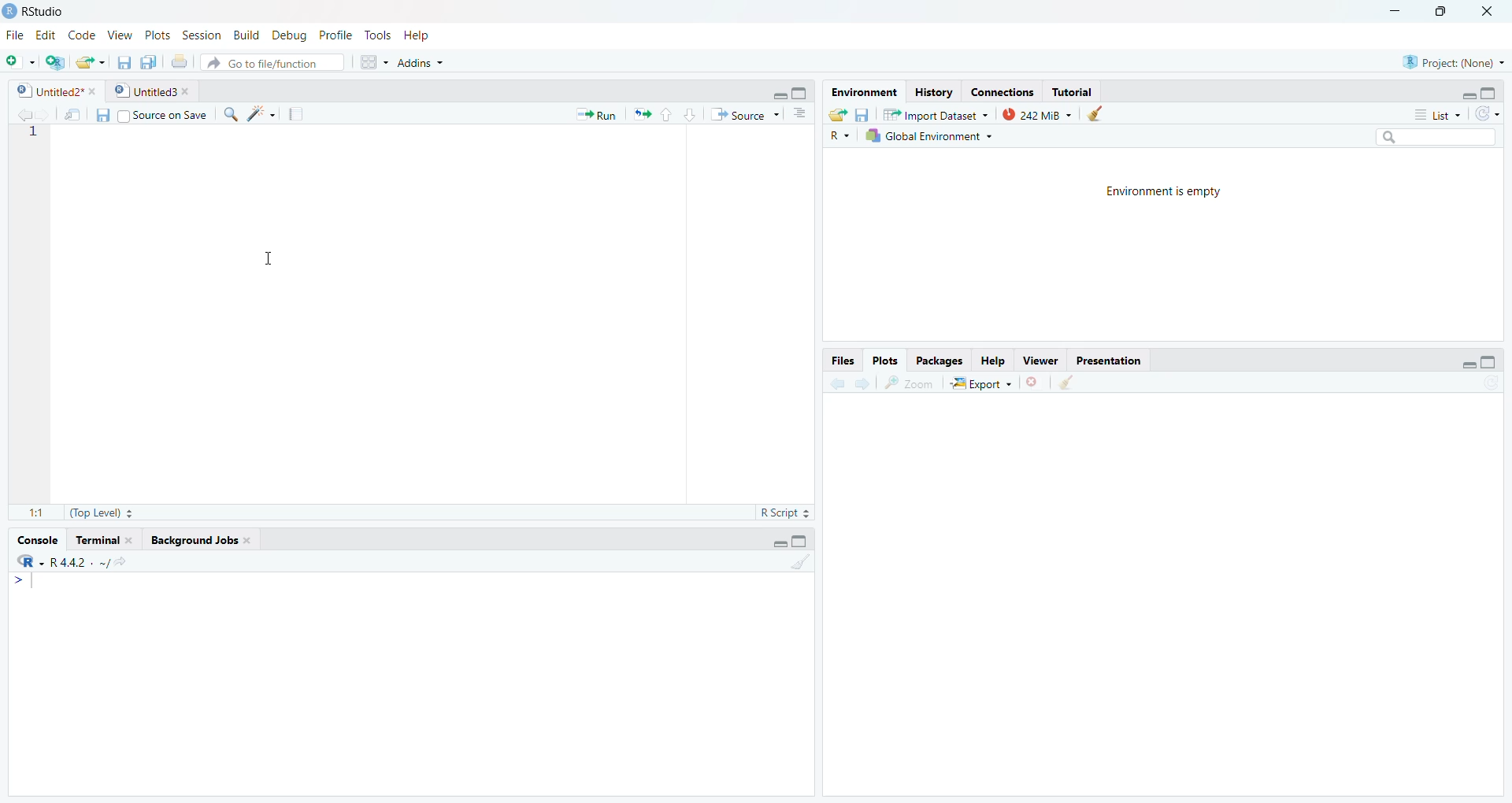 This screenshot has height=803, width=1512. Describe the element at coordinates (747, 114) in the screenshot. I see `Source ` at that location.